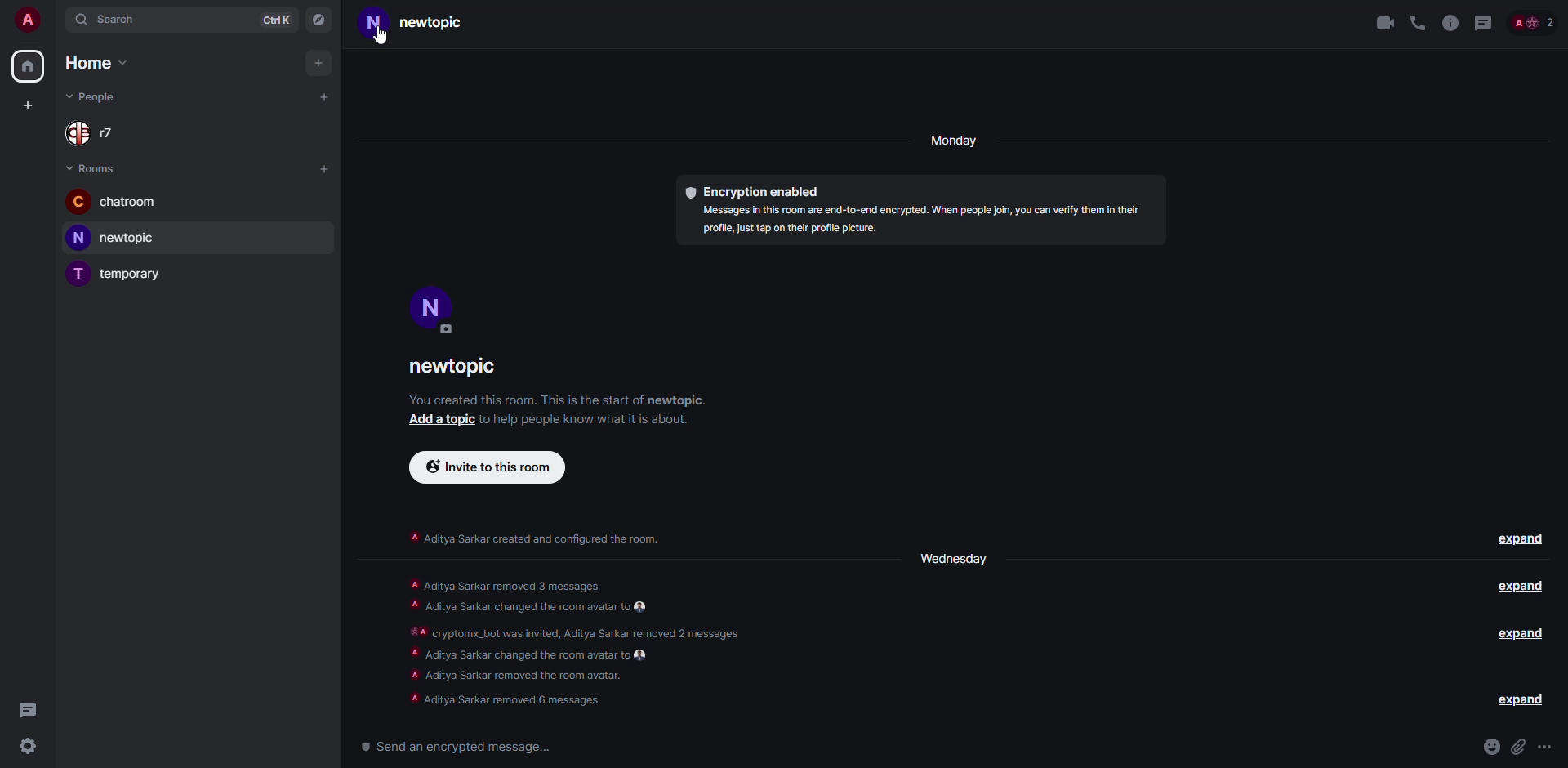  Describe the element at coordinates (24, 17) in the screenshot. I see `profile` at that location.